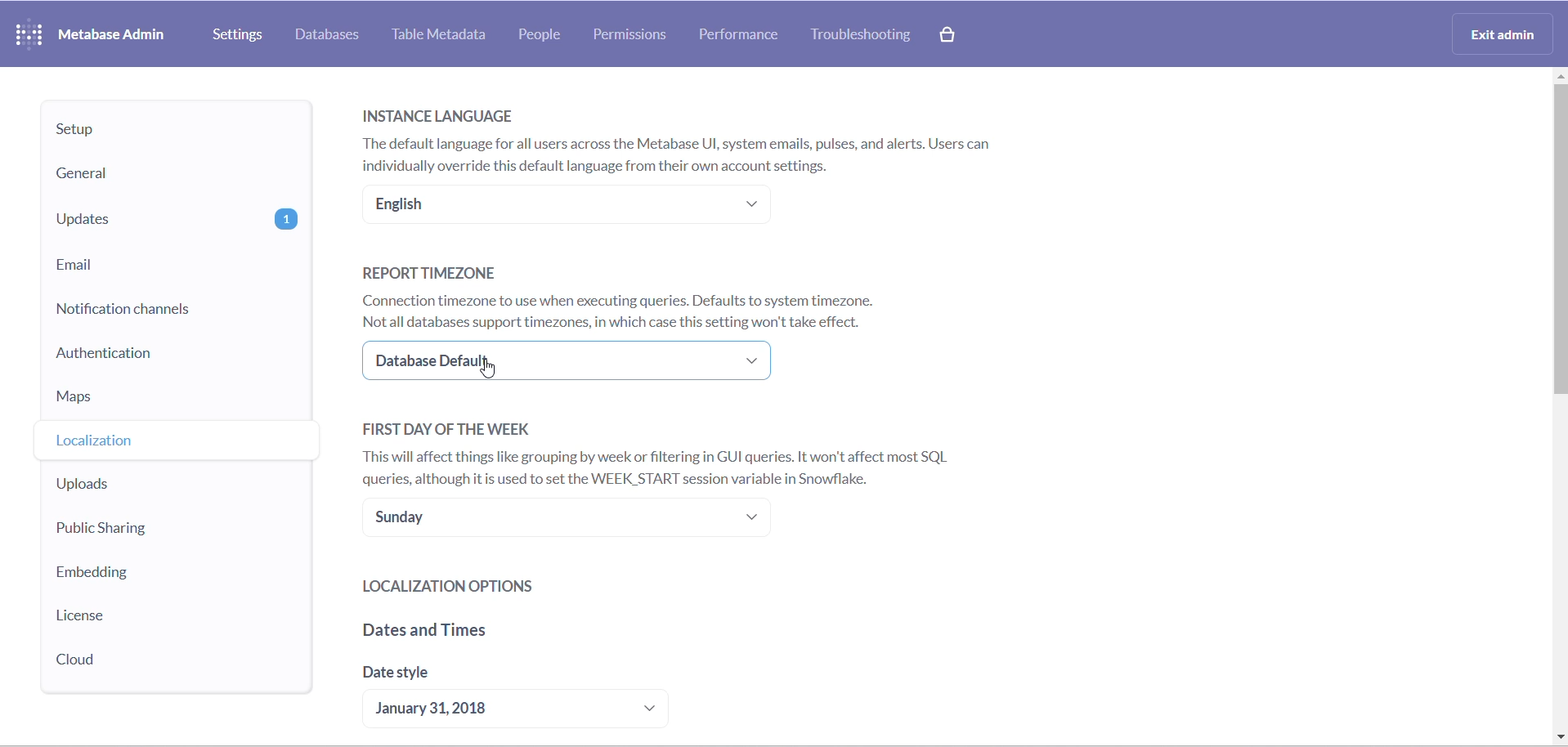 Image resolution: width=1568 pixels, height=747 pixels. Describe the element at coordinates (492, 367) in the screenshot. I see `cursor` at that location.